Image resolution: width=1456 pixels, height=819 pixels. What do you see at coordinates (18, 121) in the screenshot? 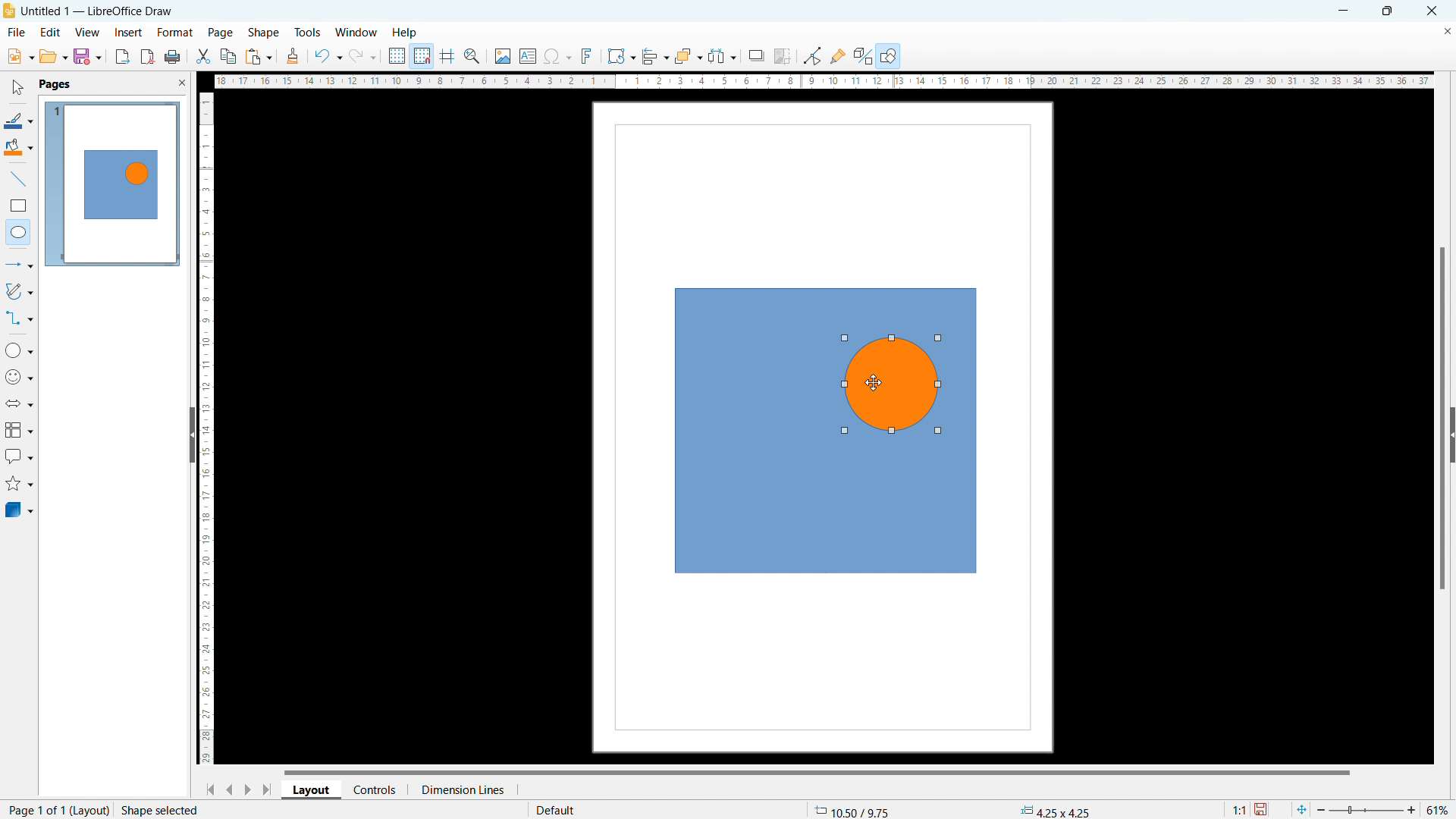
I see `line color` at bounding box center [18, 121].